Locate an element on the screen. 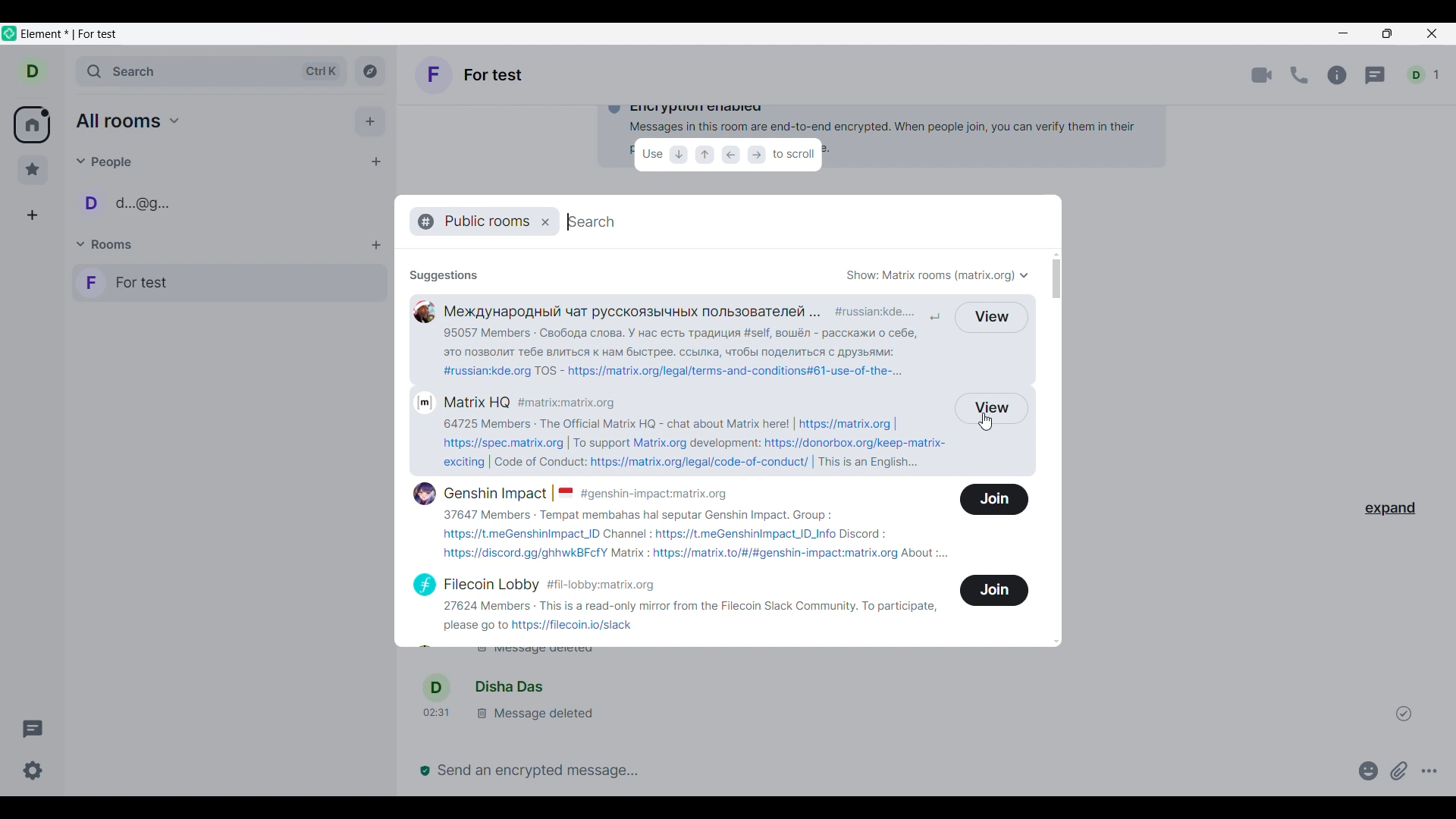  https://spec.matrix.org is located at coordinates (504, 441).